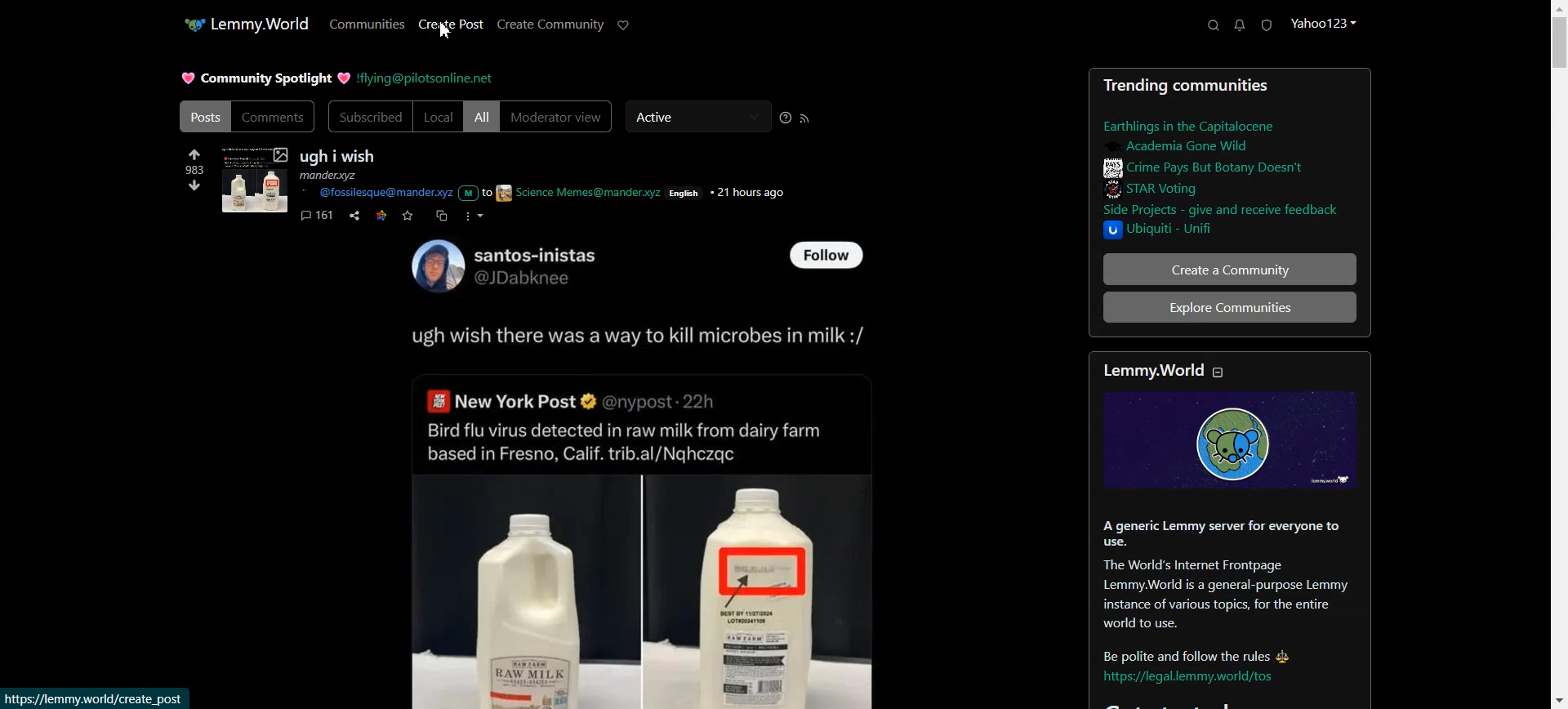  Describe the element at coordinates (447, 31) in the screenshot. I see `Cursor` at that location.